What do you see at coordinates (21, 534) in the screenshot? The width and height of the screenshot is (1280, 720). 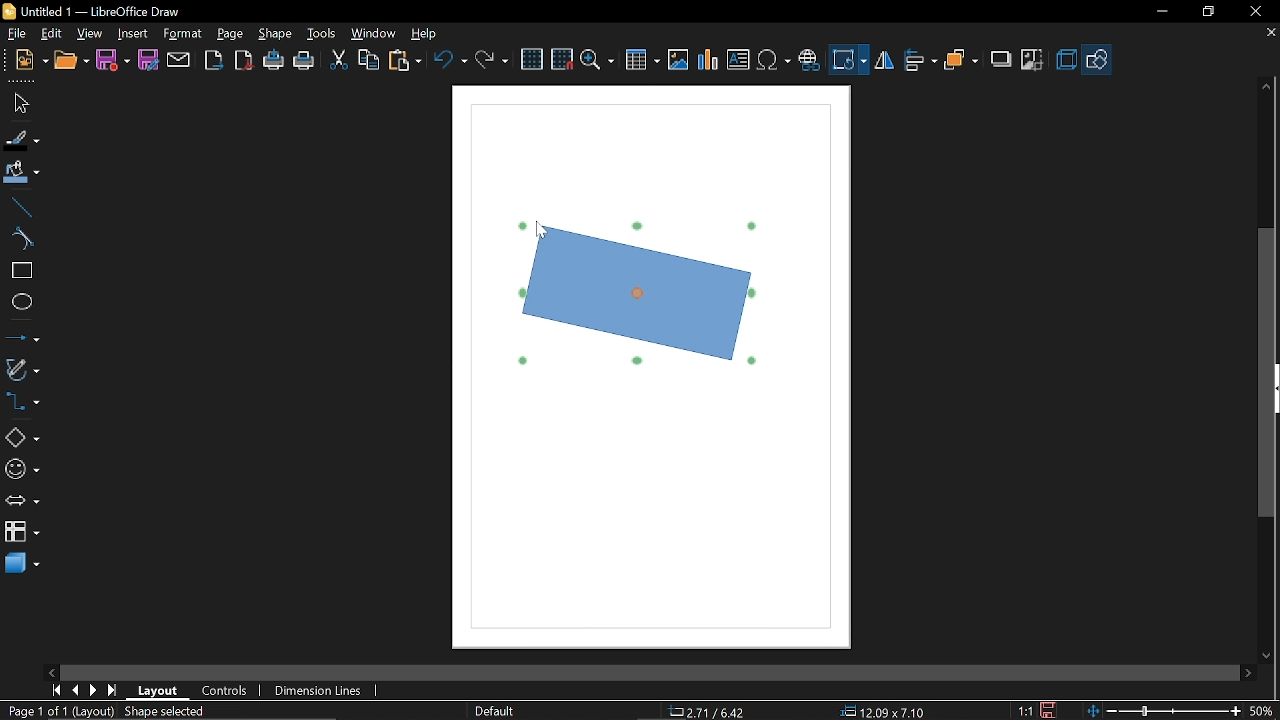 I see `flowchart` at bounding box center [21, 534].